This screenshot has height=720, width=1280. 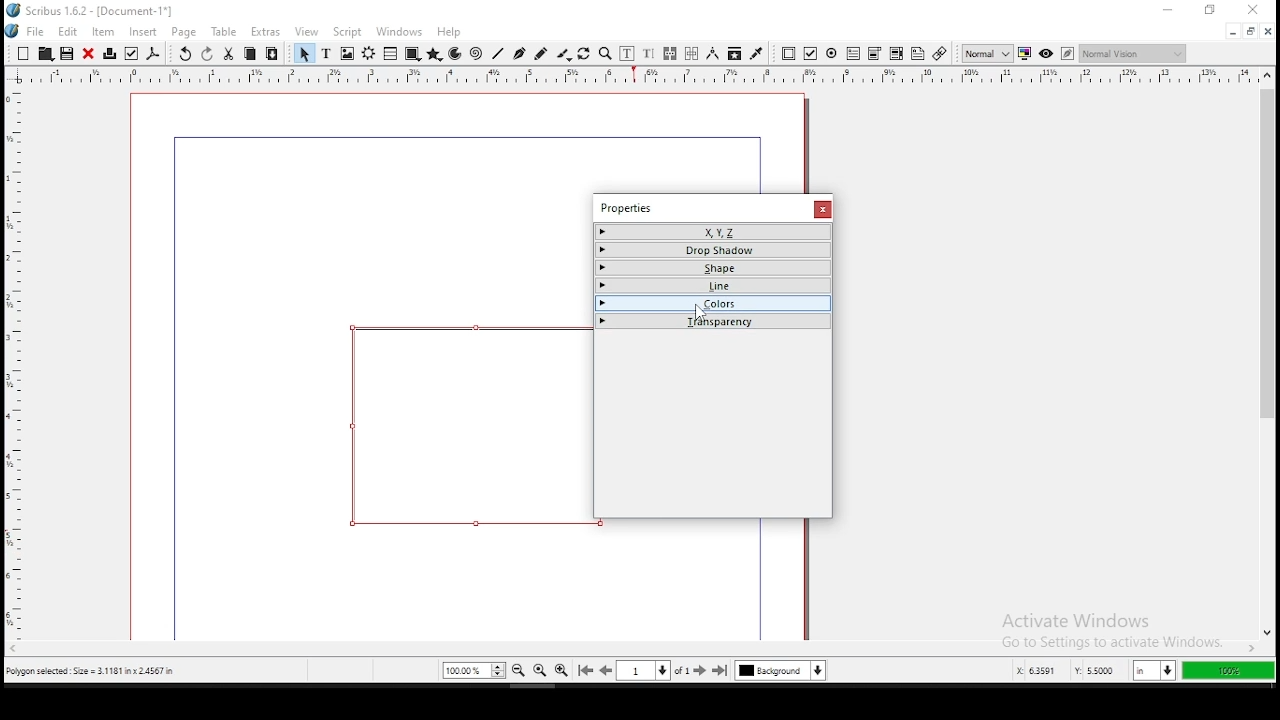 I want to click on drop shadow, so click(x=714, y=250).